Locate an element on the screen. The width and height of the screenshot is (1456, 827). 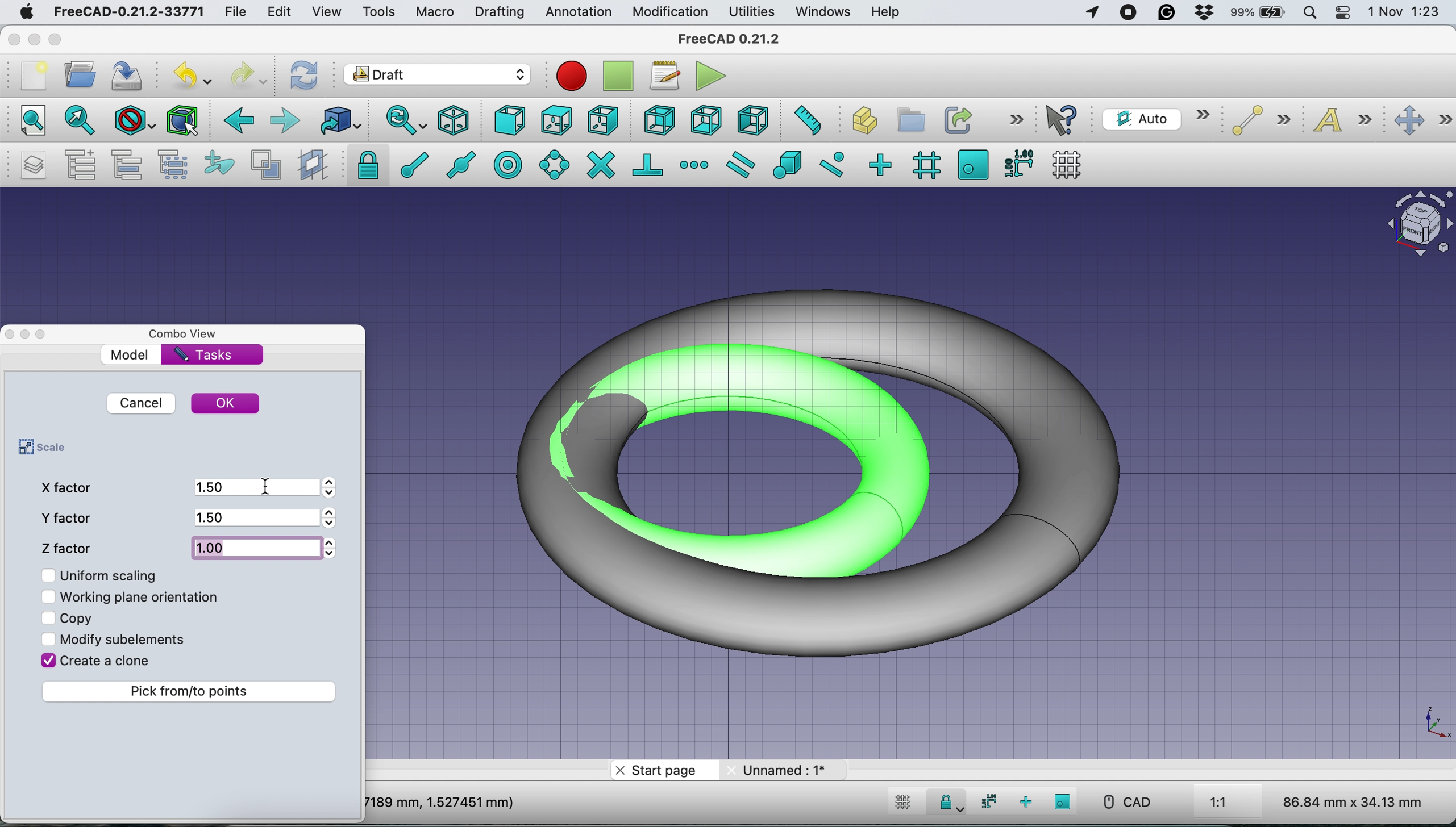
pick from to points is located at coordinates (192, 691).